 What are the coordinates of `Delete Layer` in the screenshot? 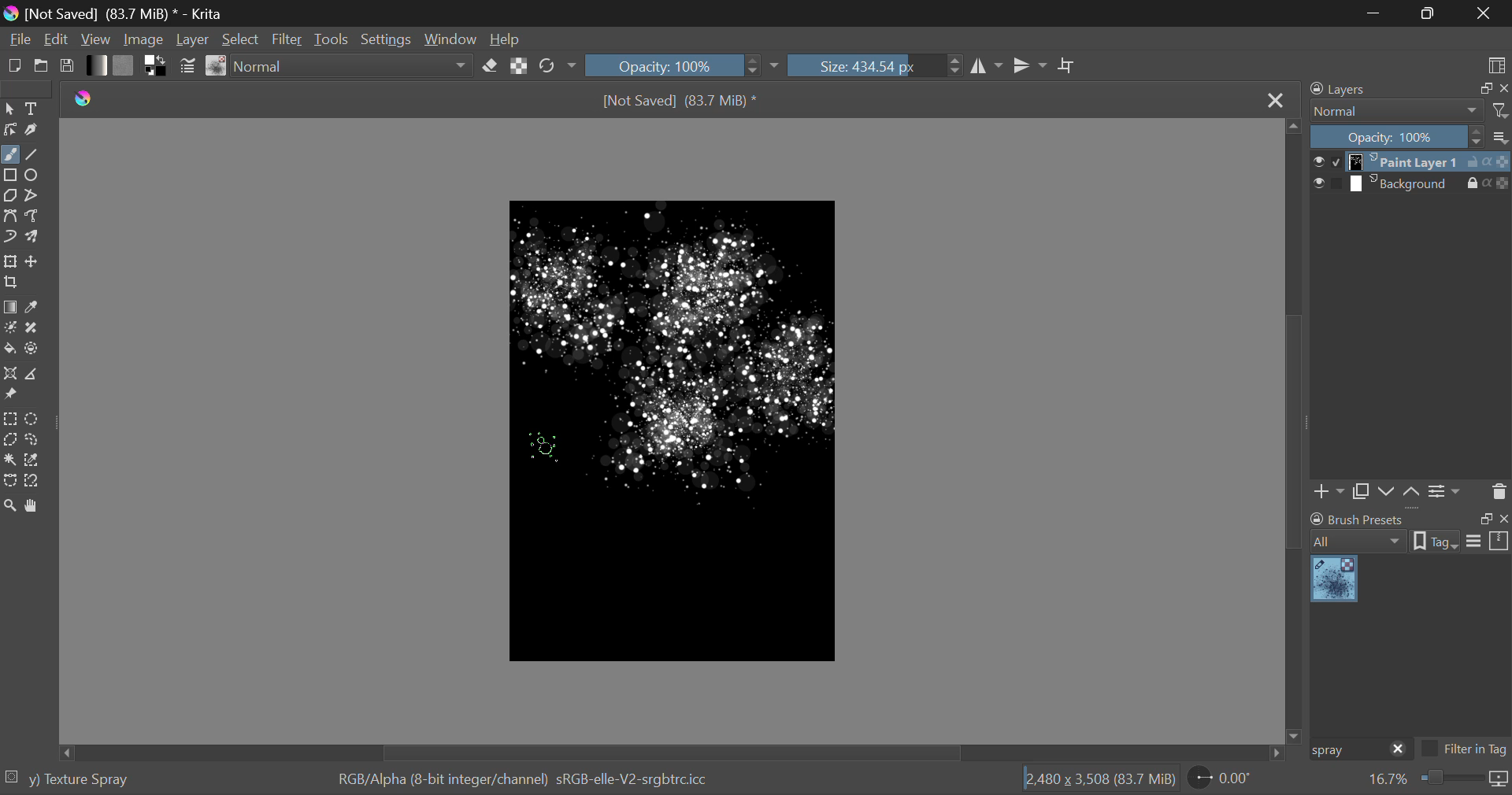 It's located at (1497, 490).